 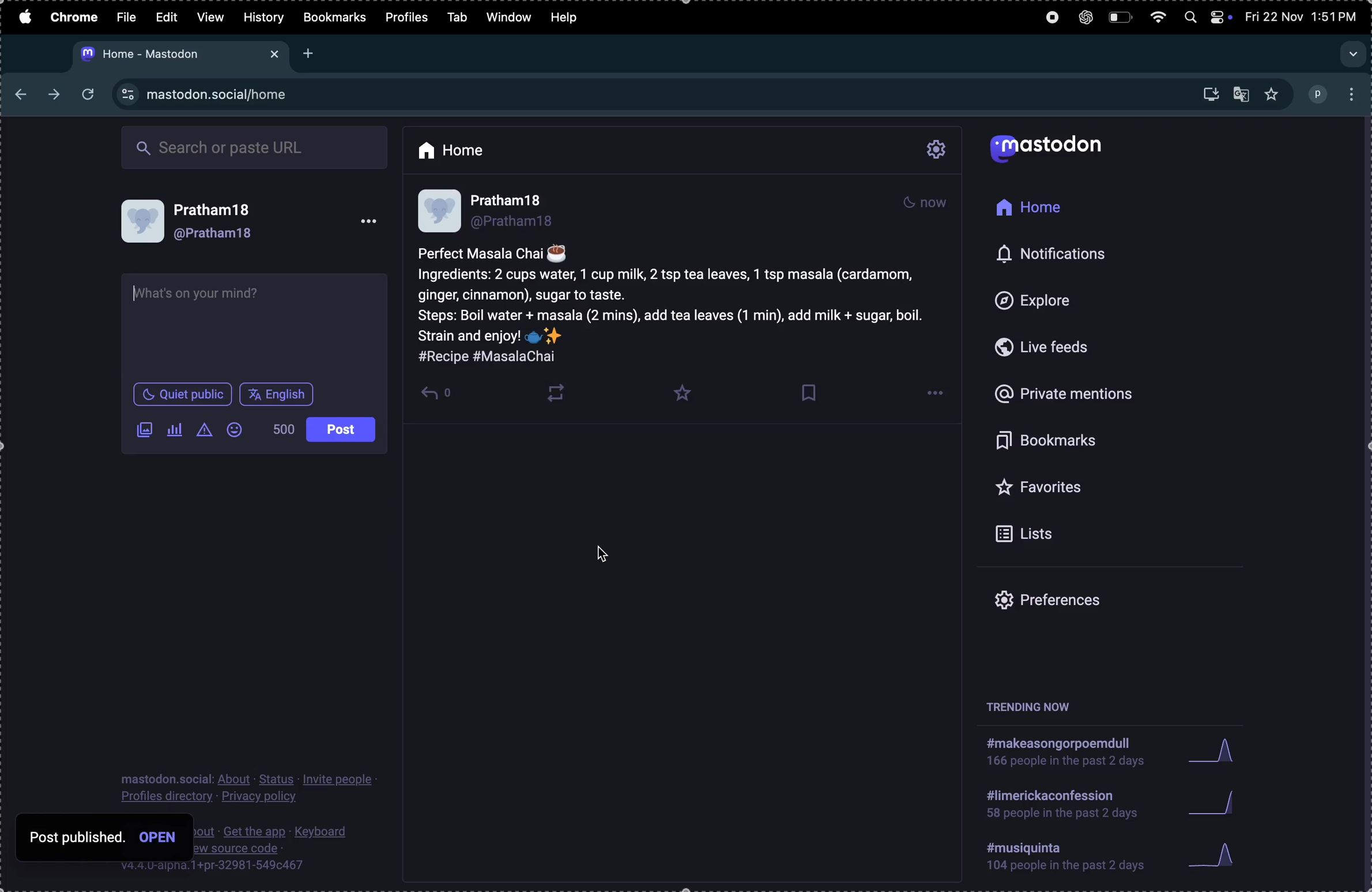 What do you see at coordinates (1071, 535) in the screenshot?
I see `lists` at bounding box center [1071, 535].